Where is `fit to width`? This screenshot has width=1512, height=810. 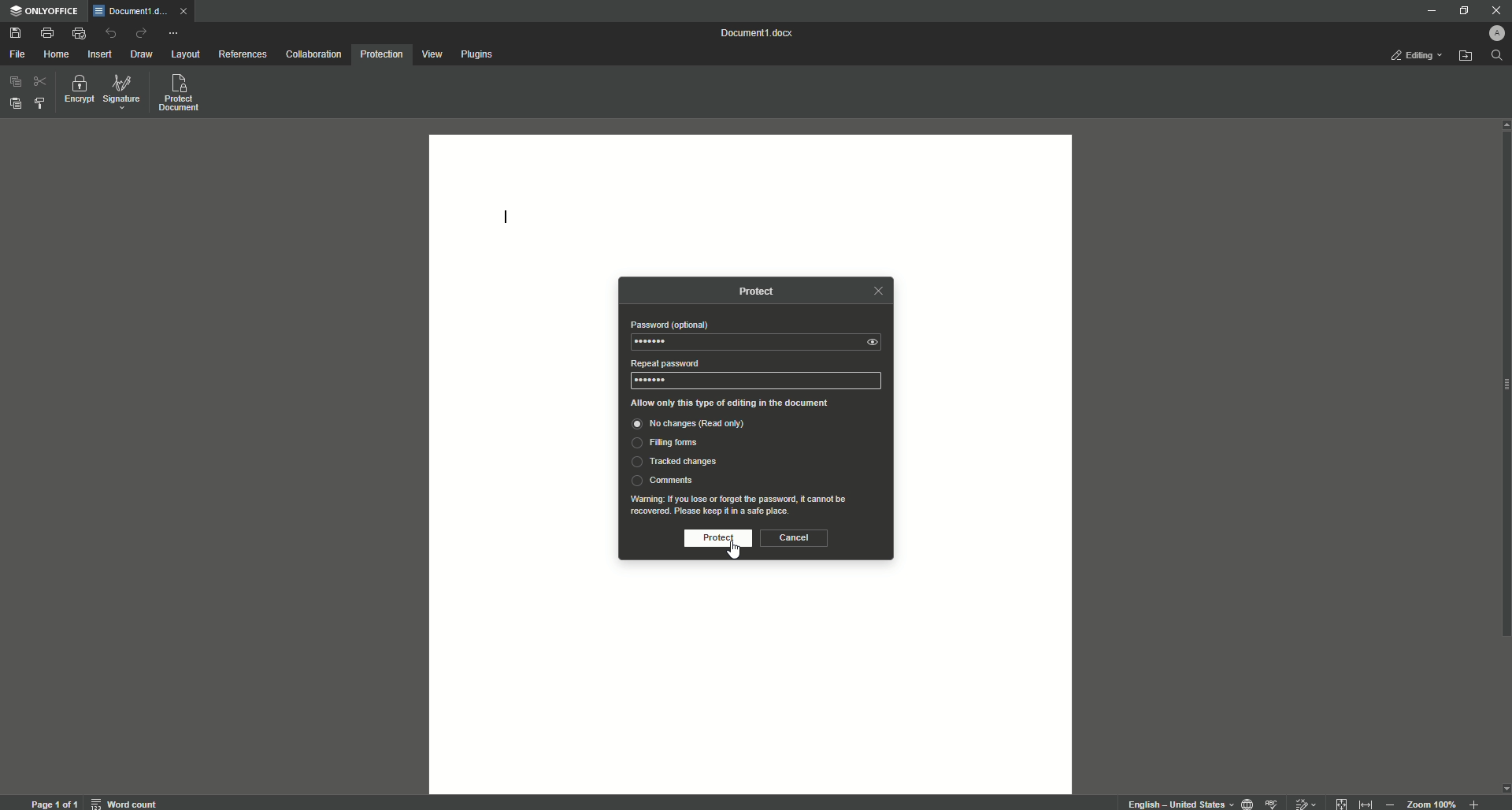
fit to width is located at coordinates (1364, 803).